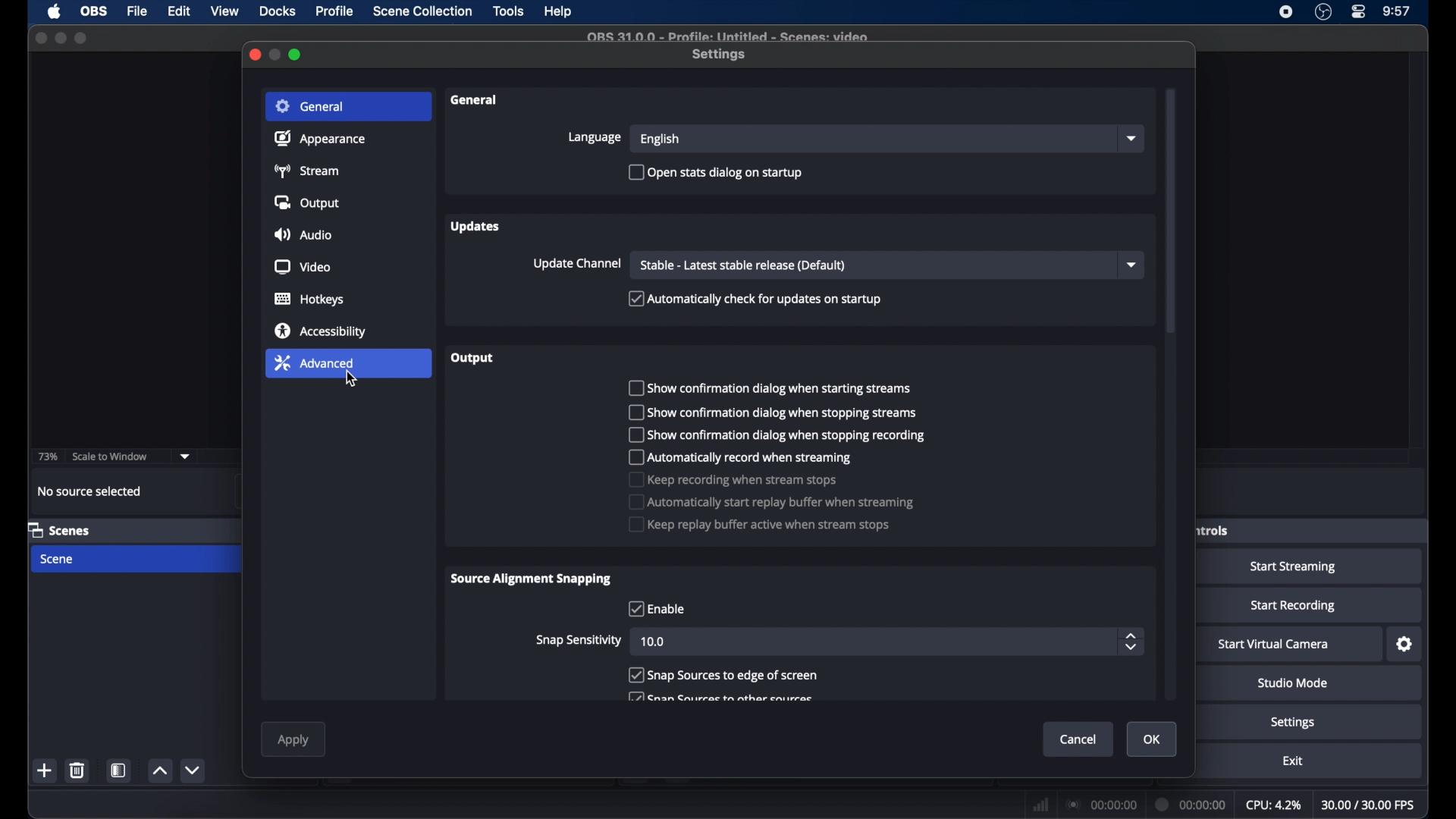 This screenshot has height=819, width=1456. What do you see at coordinates (509, 11) in the screenshot?
I see `tools` at bounding box center [509, 11].